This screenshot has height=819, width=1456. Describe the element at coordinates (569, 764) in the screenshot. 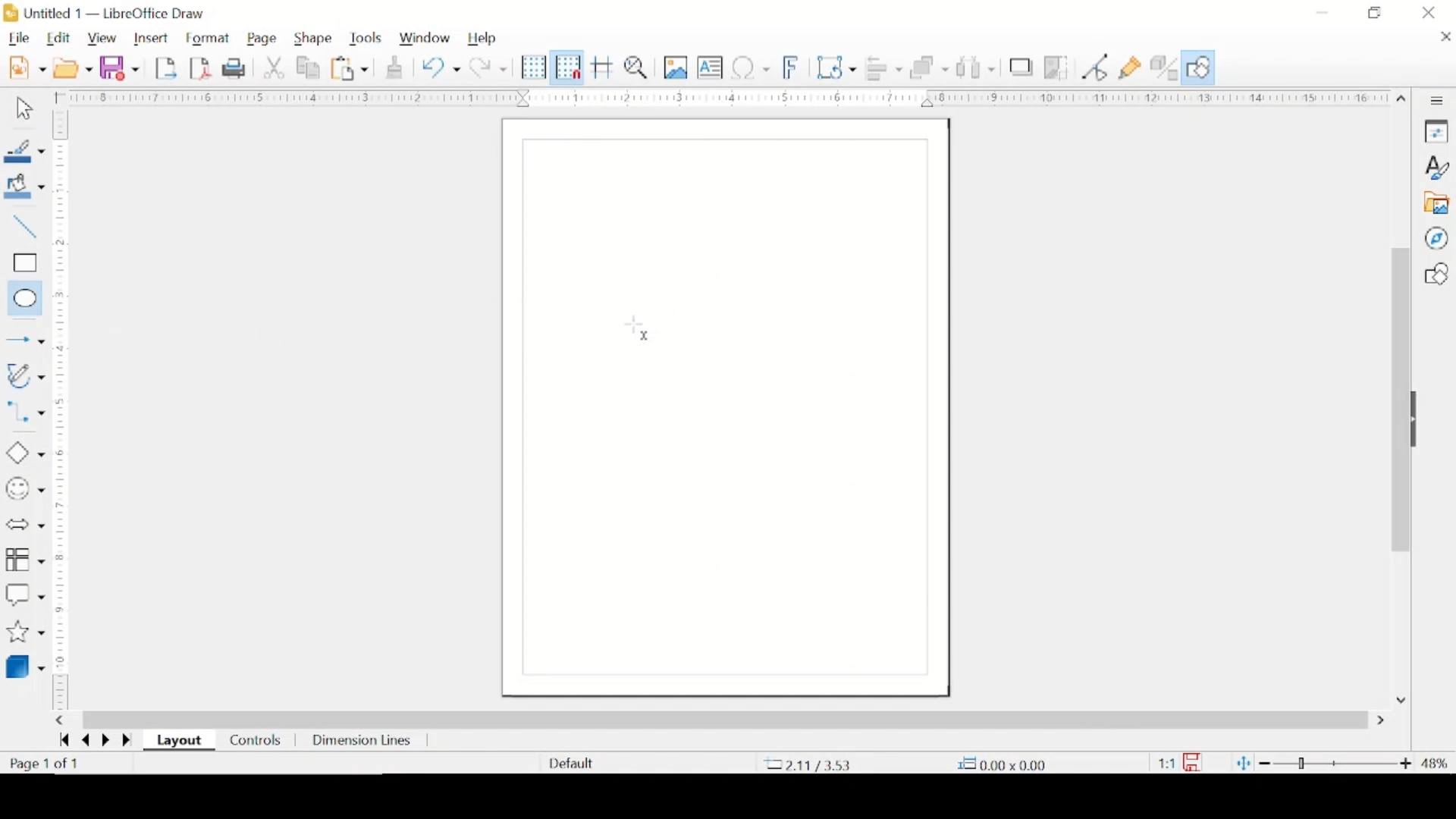

I see `deafult` at that location.